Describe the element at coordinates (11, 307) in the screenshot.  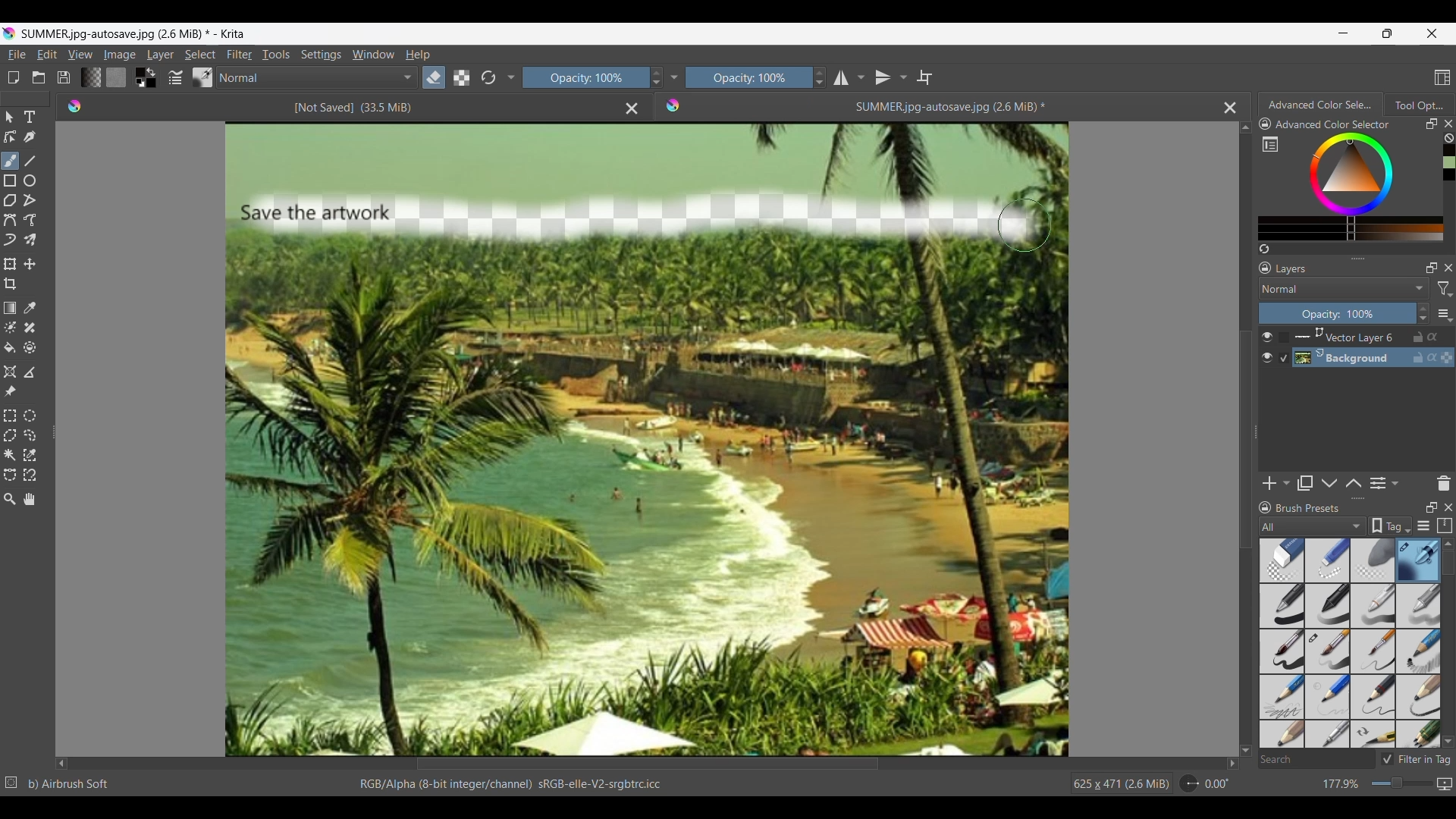
I see `Draw a gradient` at that location.